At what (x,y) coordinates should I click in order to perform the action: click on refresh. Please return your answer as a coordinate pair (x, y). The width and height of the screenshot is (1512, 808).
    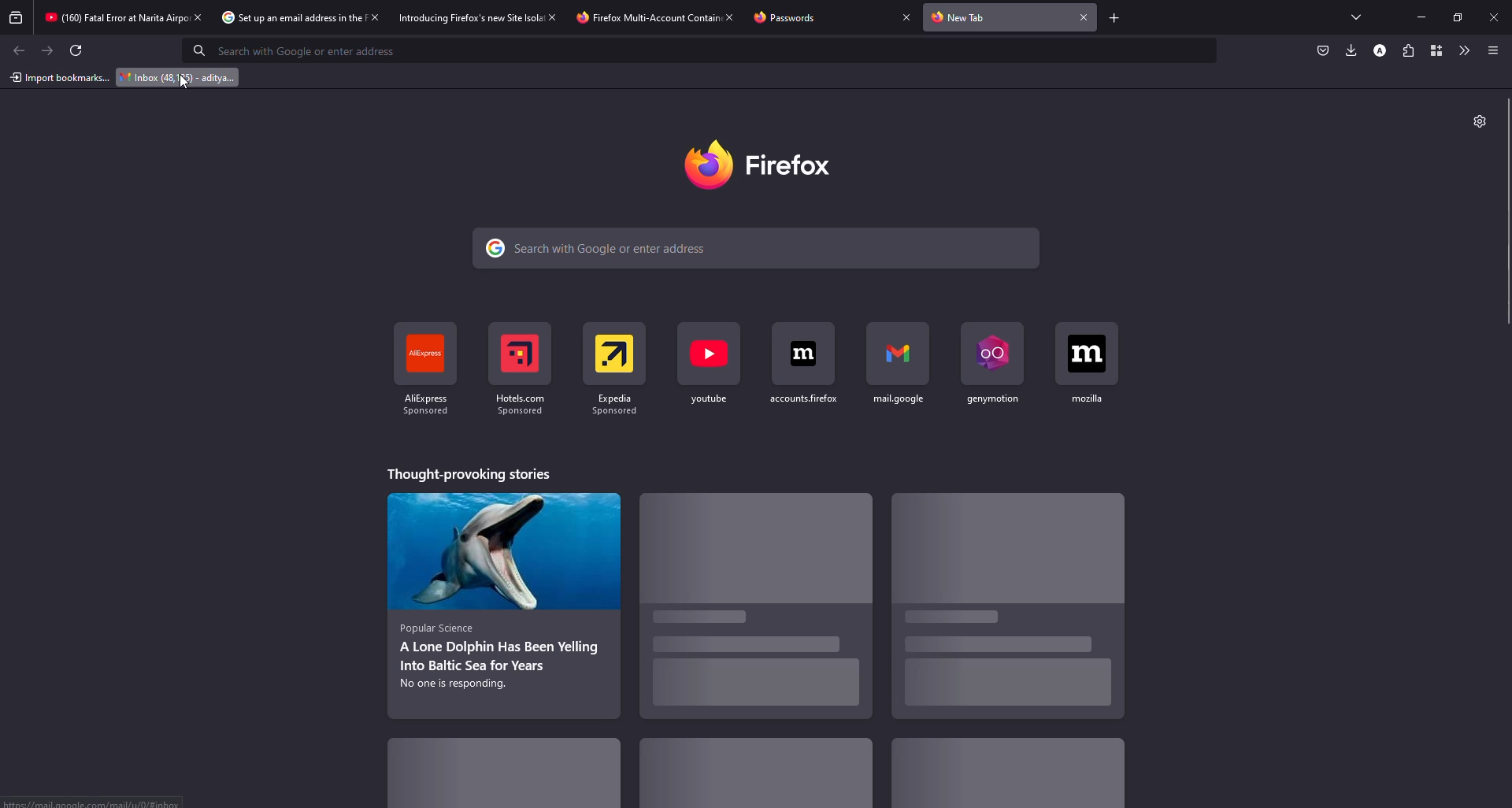
    Looking at the image, I should click on (78, 50).